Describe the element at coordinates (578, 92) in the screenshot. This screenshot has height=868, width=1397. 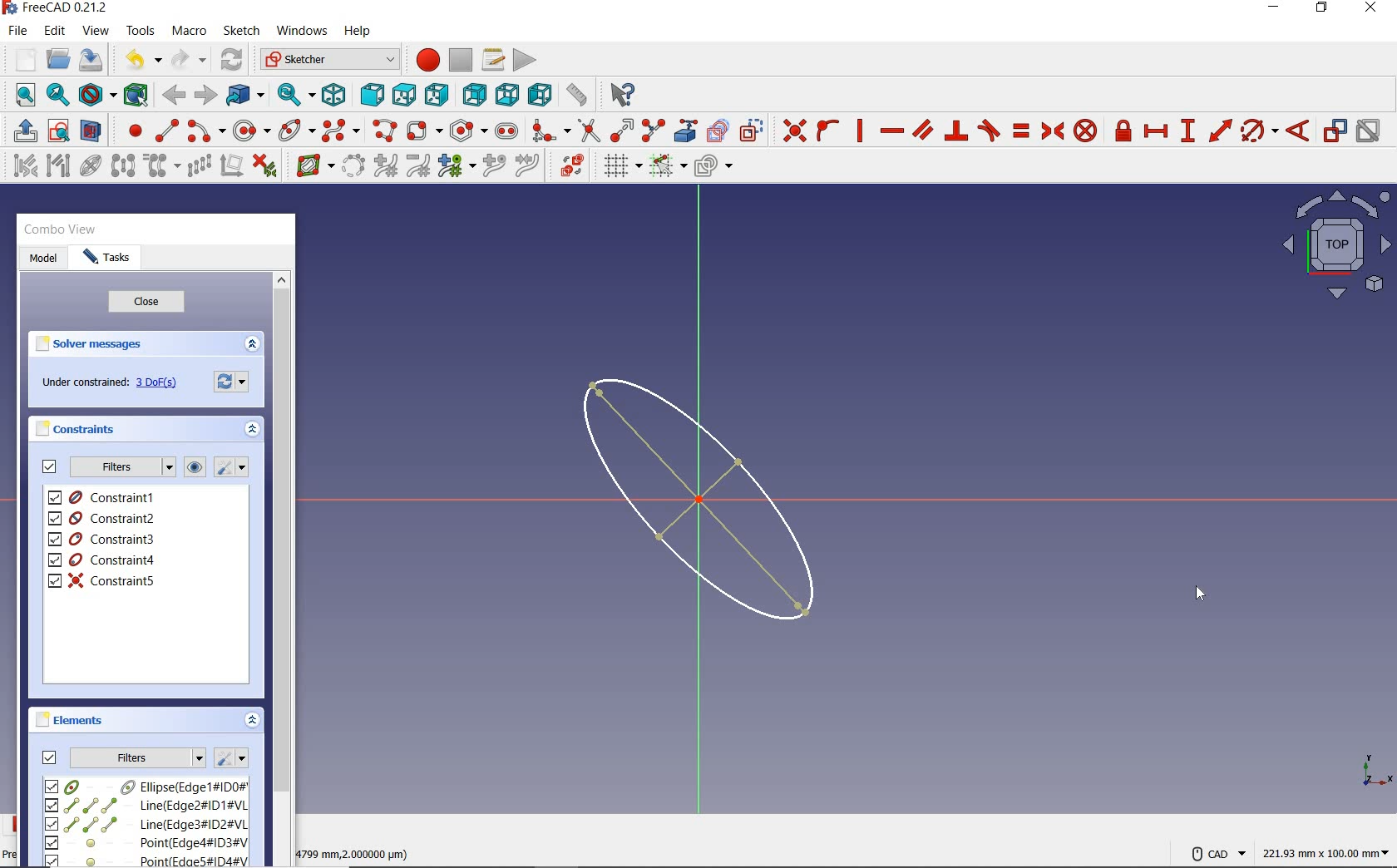
I see `measure distance` at that location.